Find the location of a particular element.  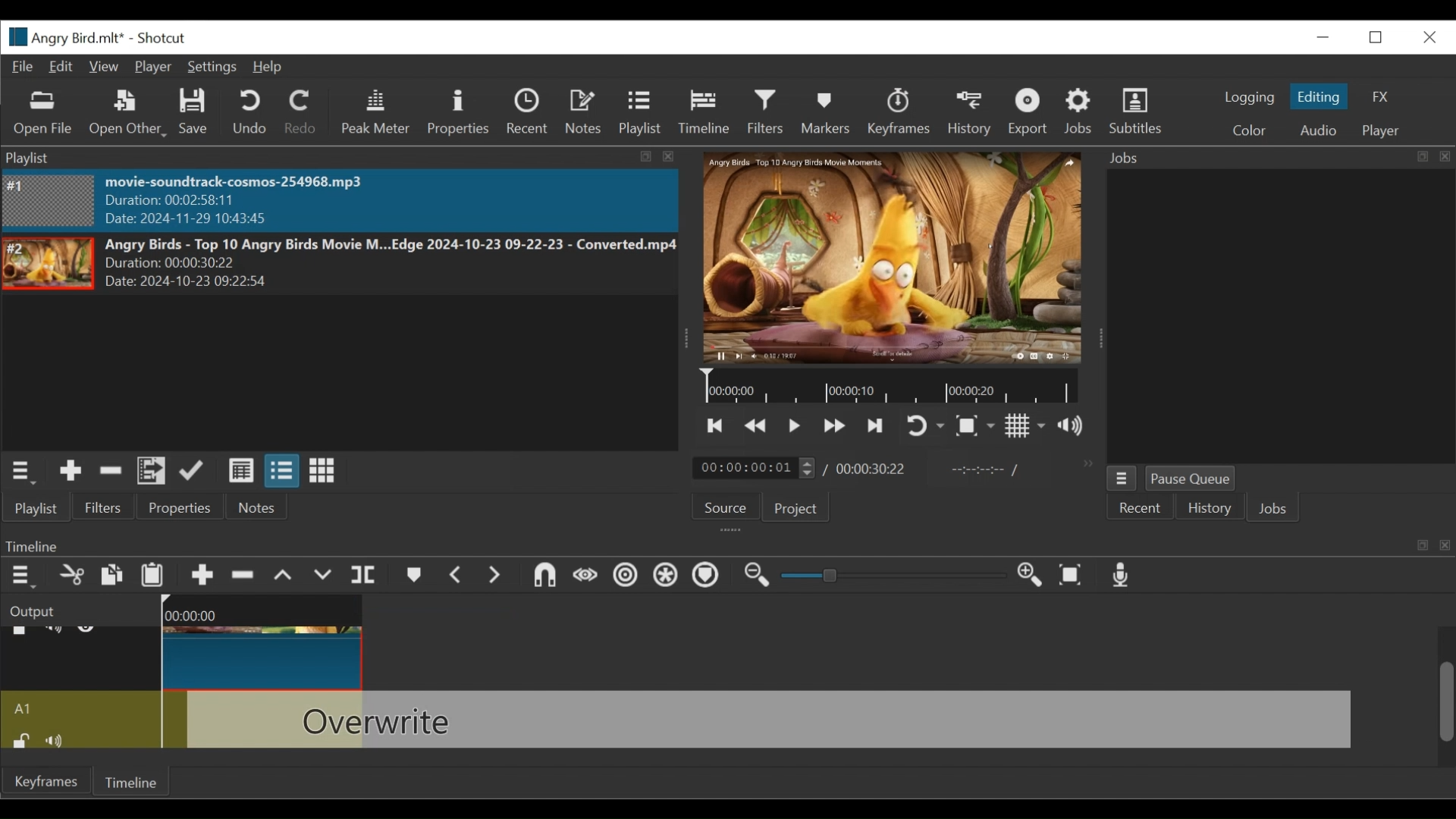

Toggle Zoom is located at coordinates (977, 427).